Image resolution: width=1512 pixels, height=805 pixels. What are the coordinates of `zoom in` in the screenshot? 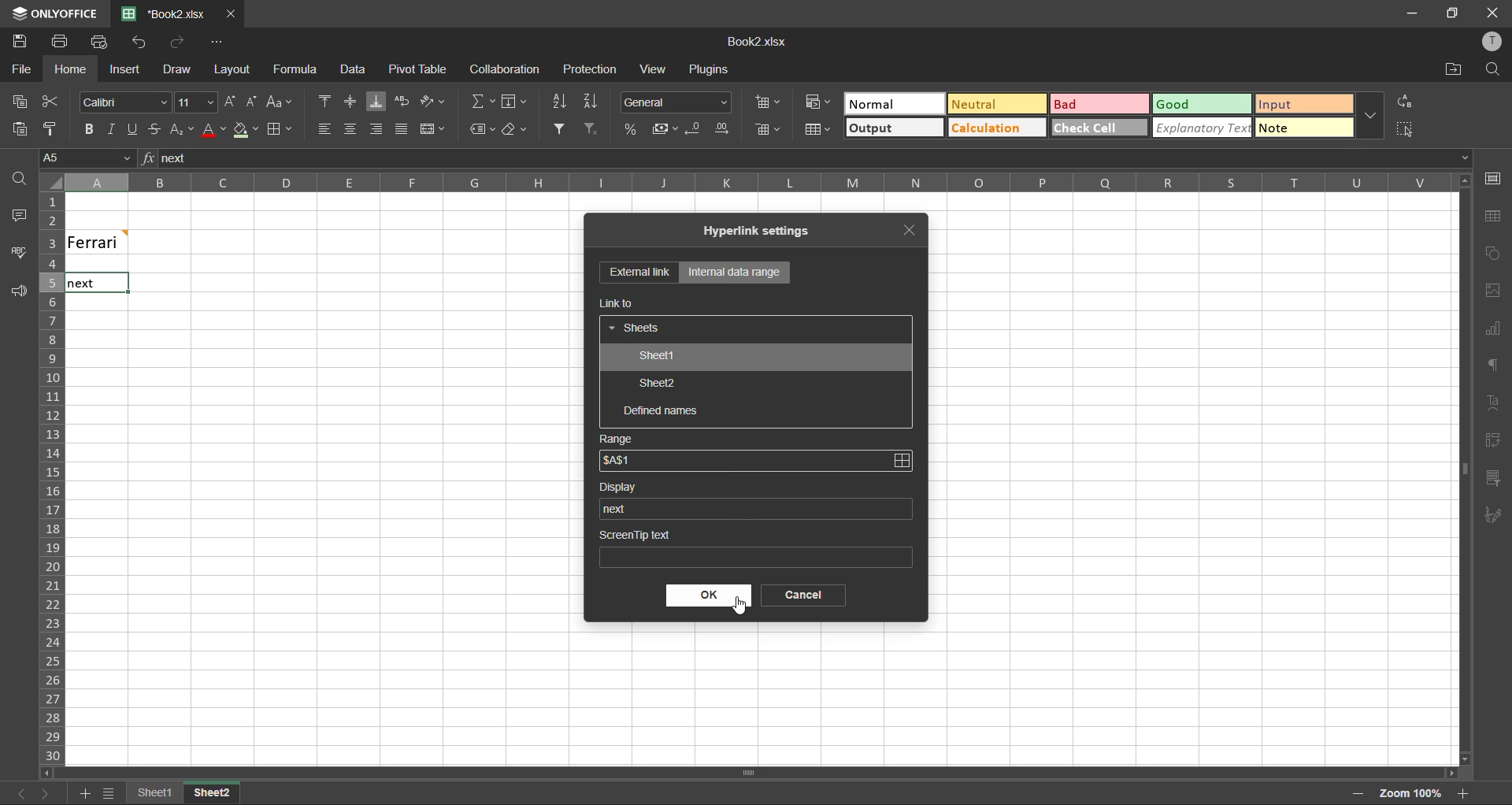 It's located at (1462, 792).